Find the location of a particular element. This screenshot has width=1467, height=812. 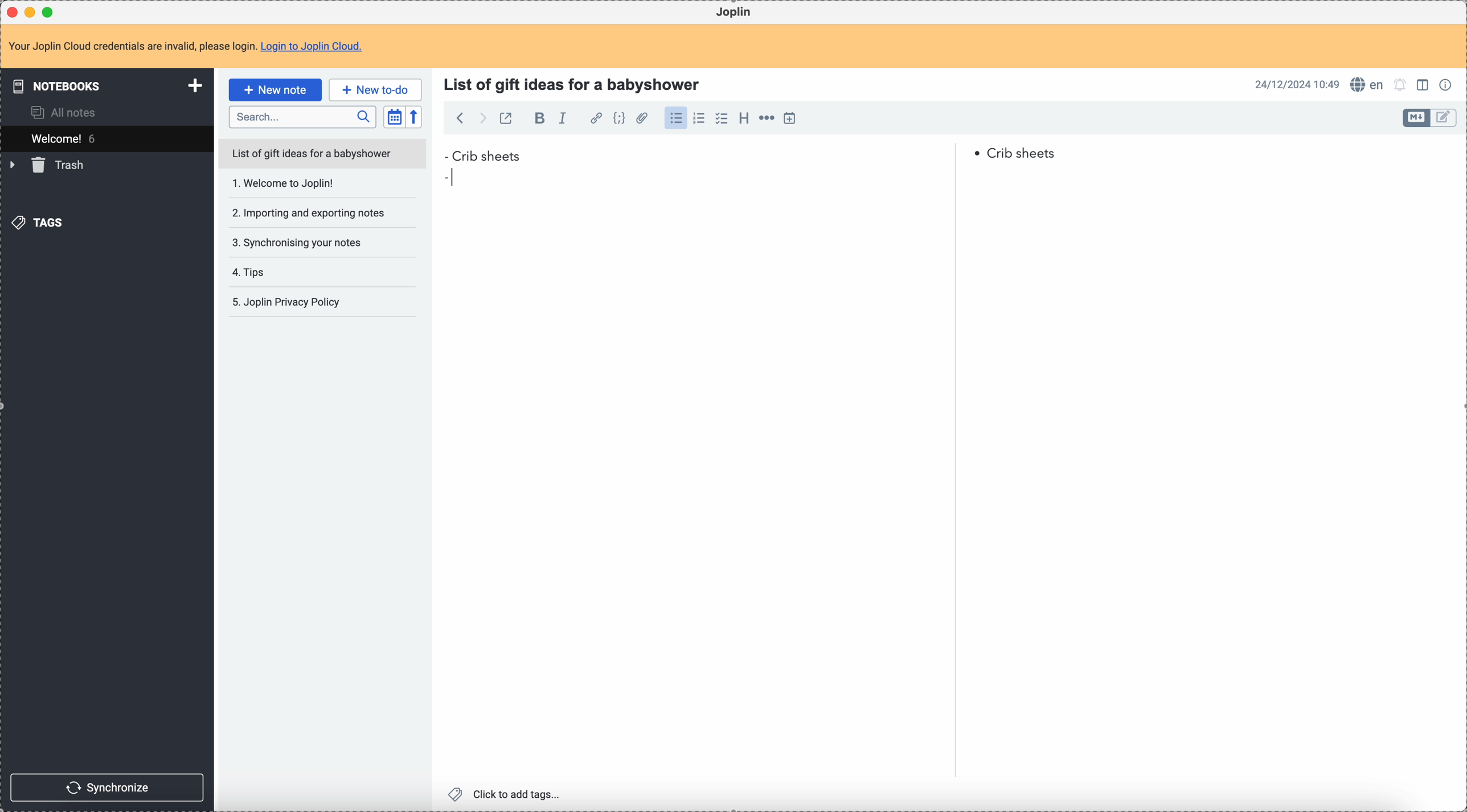

foward is located at coordinates (483, 118).